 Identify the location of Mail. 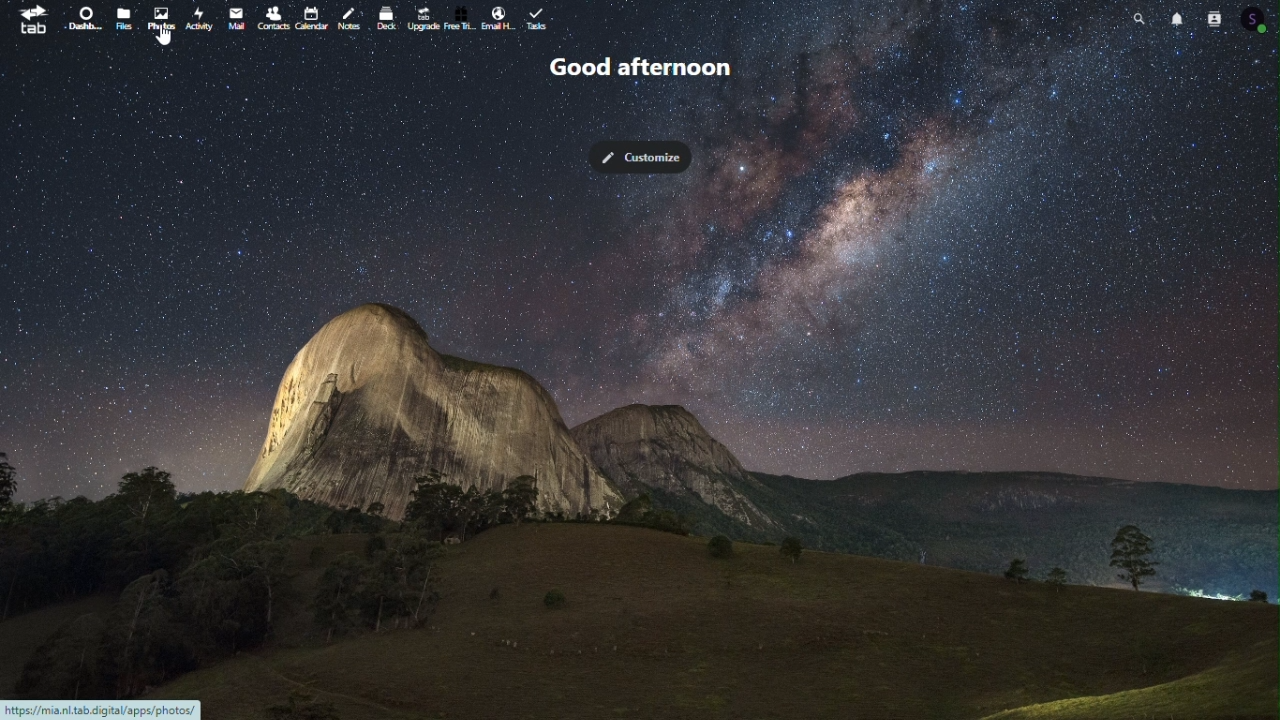
(233, 19).